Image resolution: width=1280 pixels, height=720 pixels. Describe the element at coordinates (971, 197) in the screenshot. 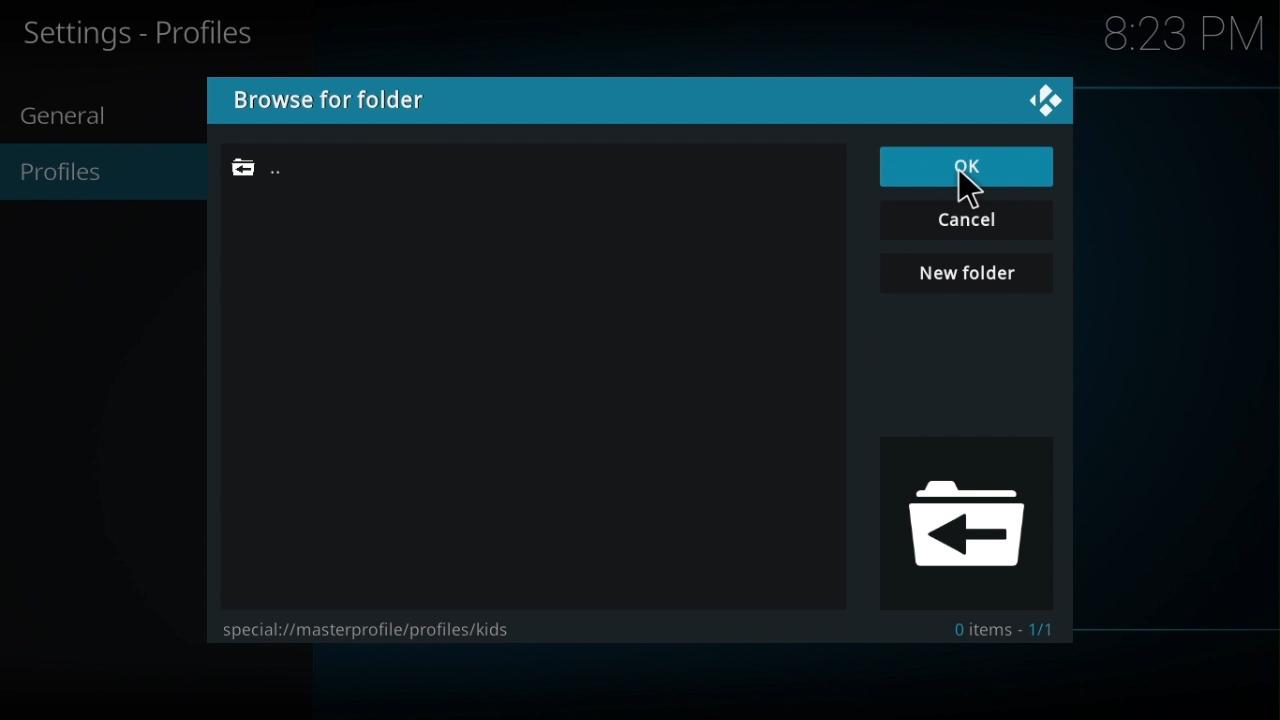

I see `cursor` at that location.